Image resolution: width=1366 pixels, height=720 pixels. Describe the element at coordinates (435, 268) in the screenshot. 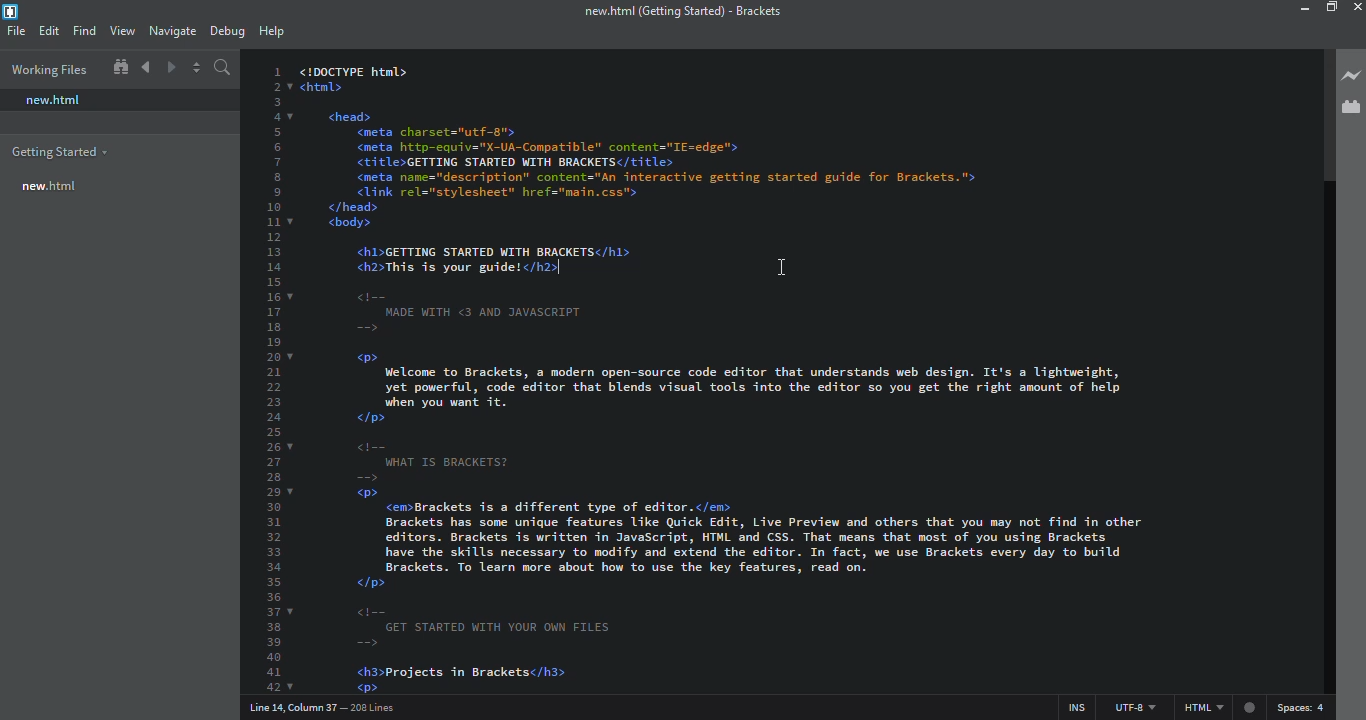

I see `test code` at that location.